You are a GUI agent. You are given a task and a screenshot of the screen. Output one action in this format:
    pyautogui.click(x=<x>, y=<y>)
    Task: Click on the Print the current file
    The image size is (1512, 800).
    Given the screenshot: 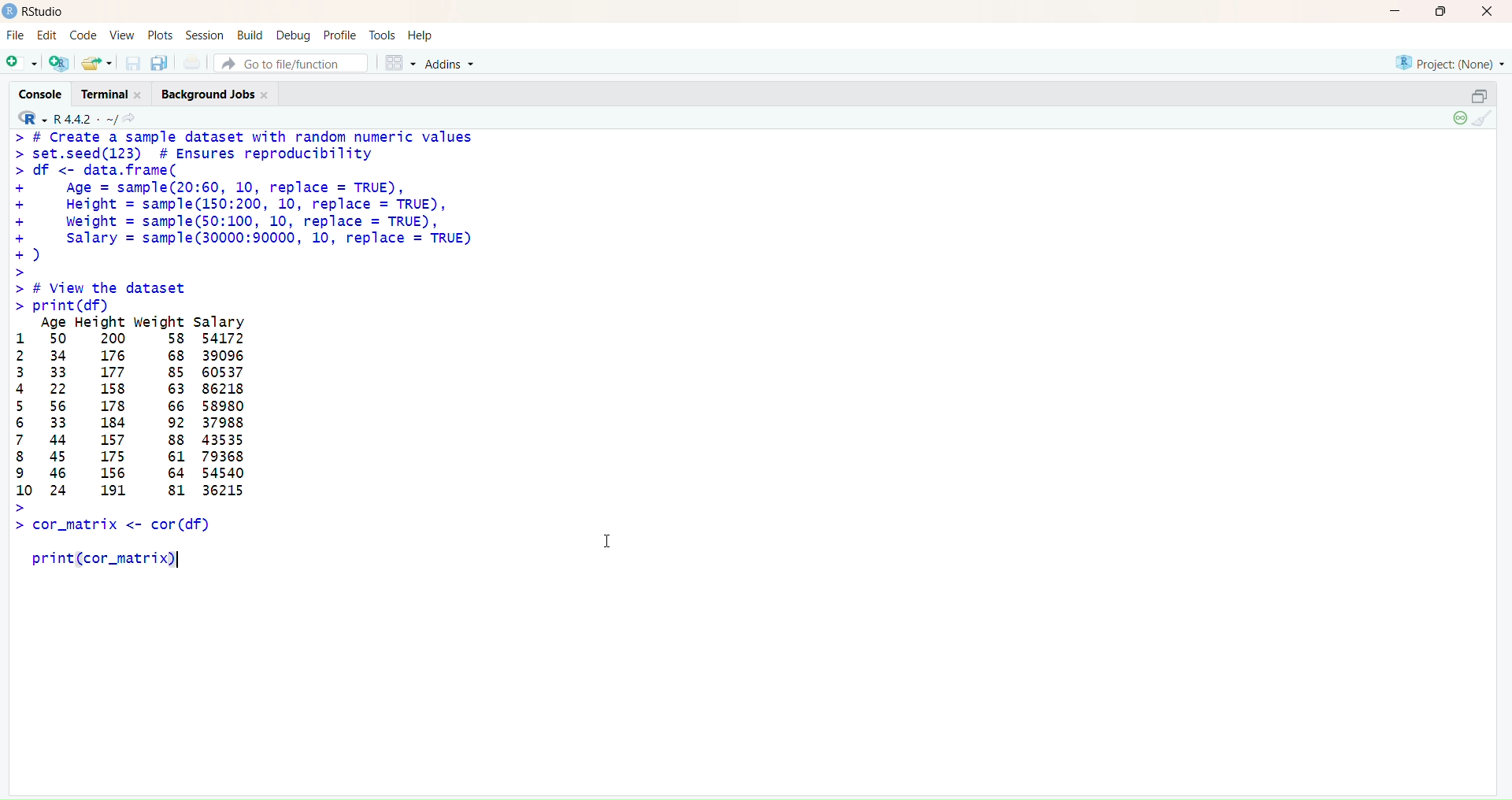 What is the action you would take?
    pyautogui.click(x=193, y=62)
    